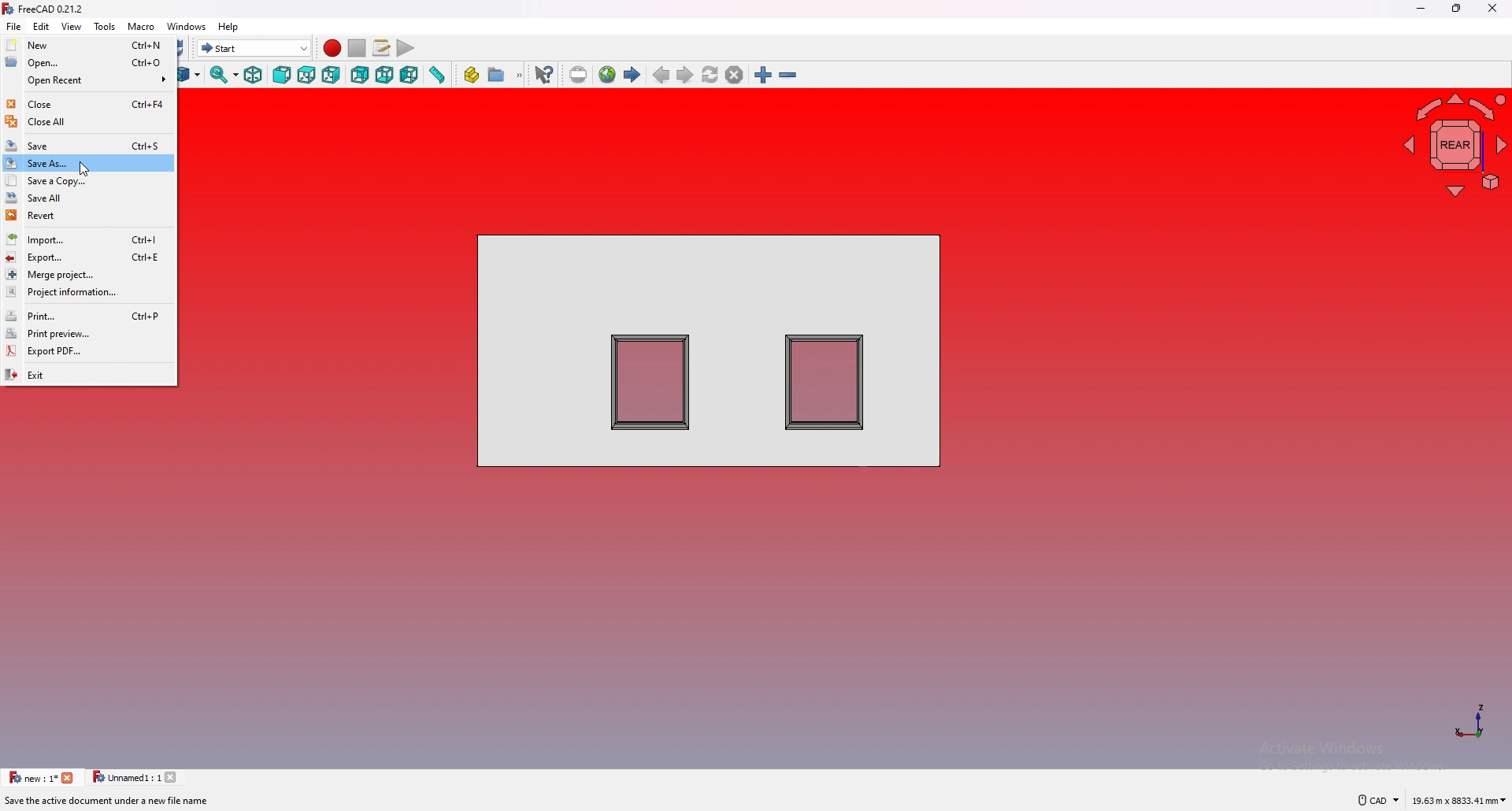  What do you see at coordinates (88, 121) in the screenshot?
I see `close all` at bounding box center [88, 121].